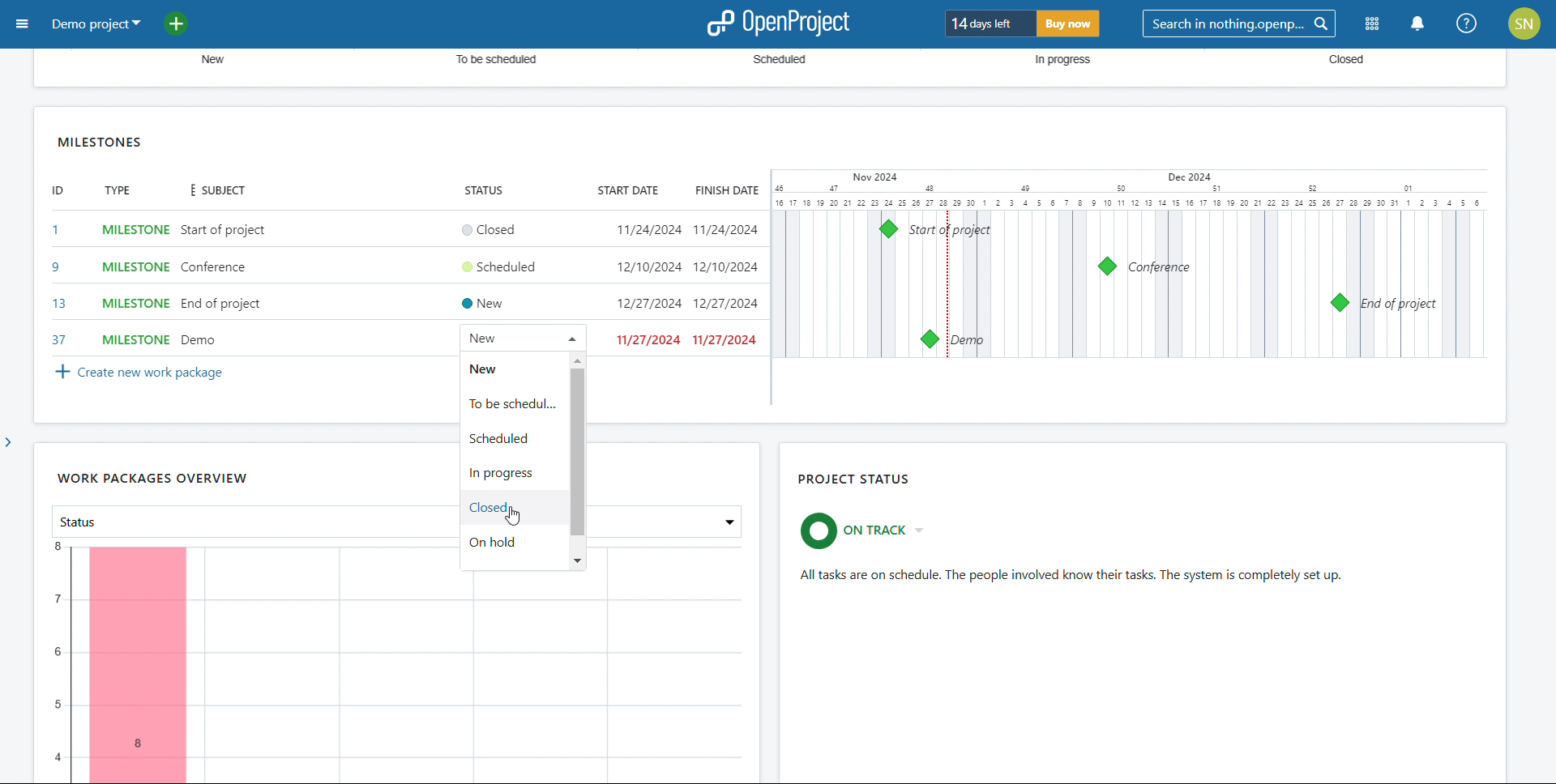 The width and height of the screenshot is (1556, 784). I want to click on days left for trial, so click(989, 23).